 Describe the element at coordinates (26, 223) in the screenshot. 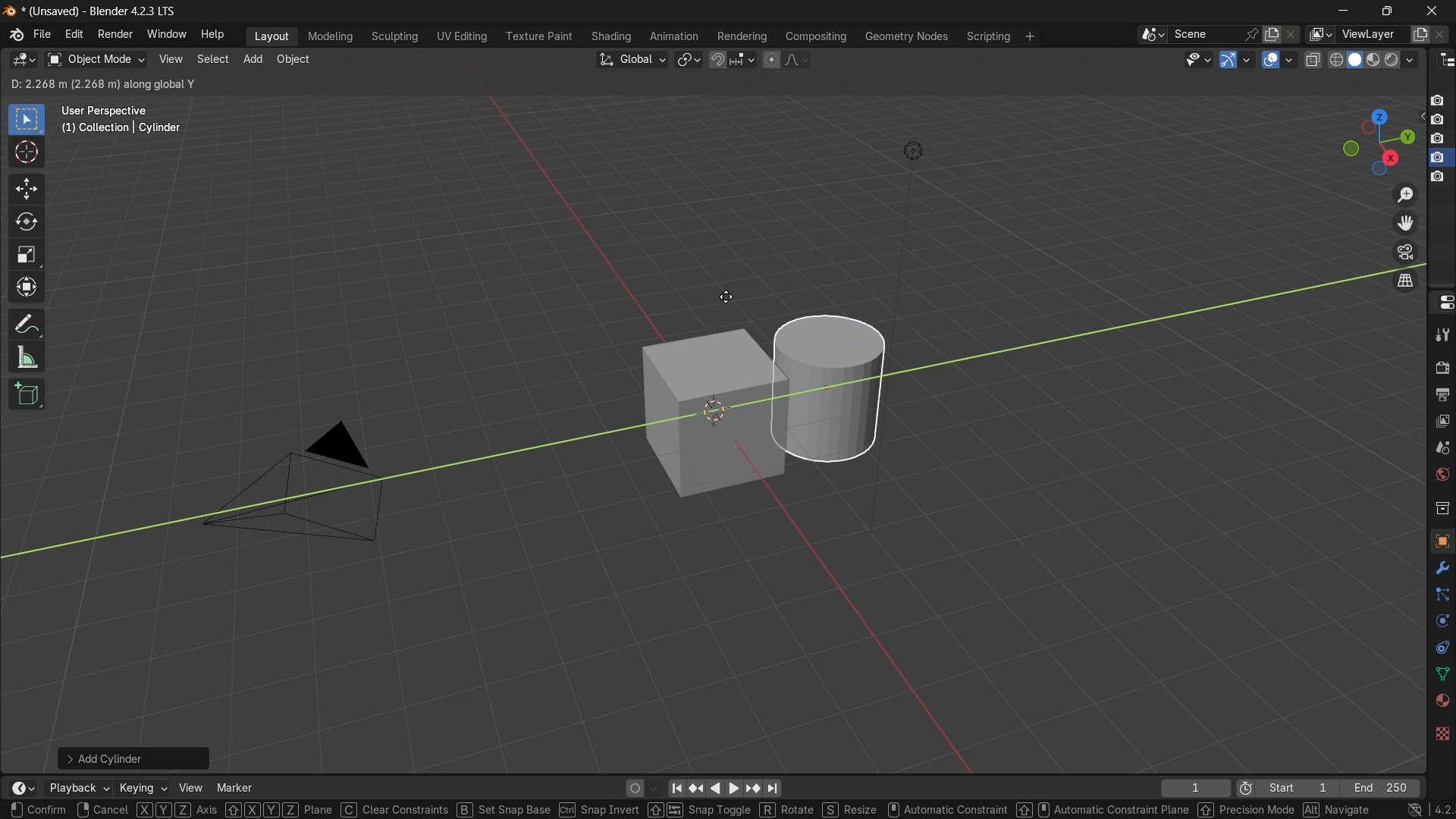

I see `rotate` at that location.